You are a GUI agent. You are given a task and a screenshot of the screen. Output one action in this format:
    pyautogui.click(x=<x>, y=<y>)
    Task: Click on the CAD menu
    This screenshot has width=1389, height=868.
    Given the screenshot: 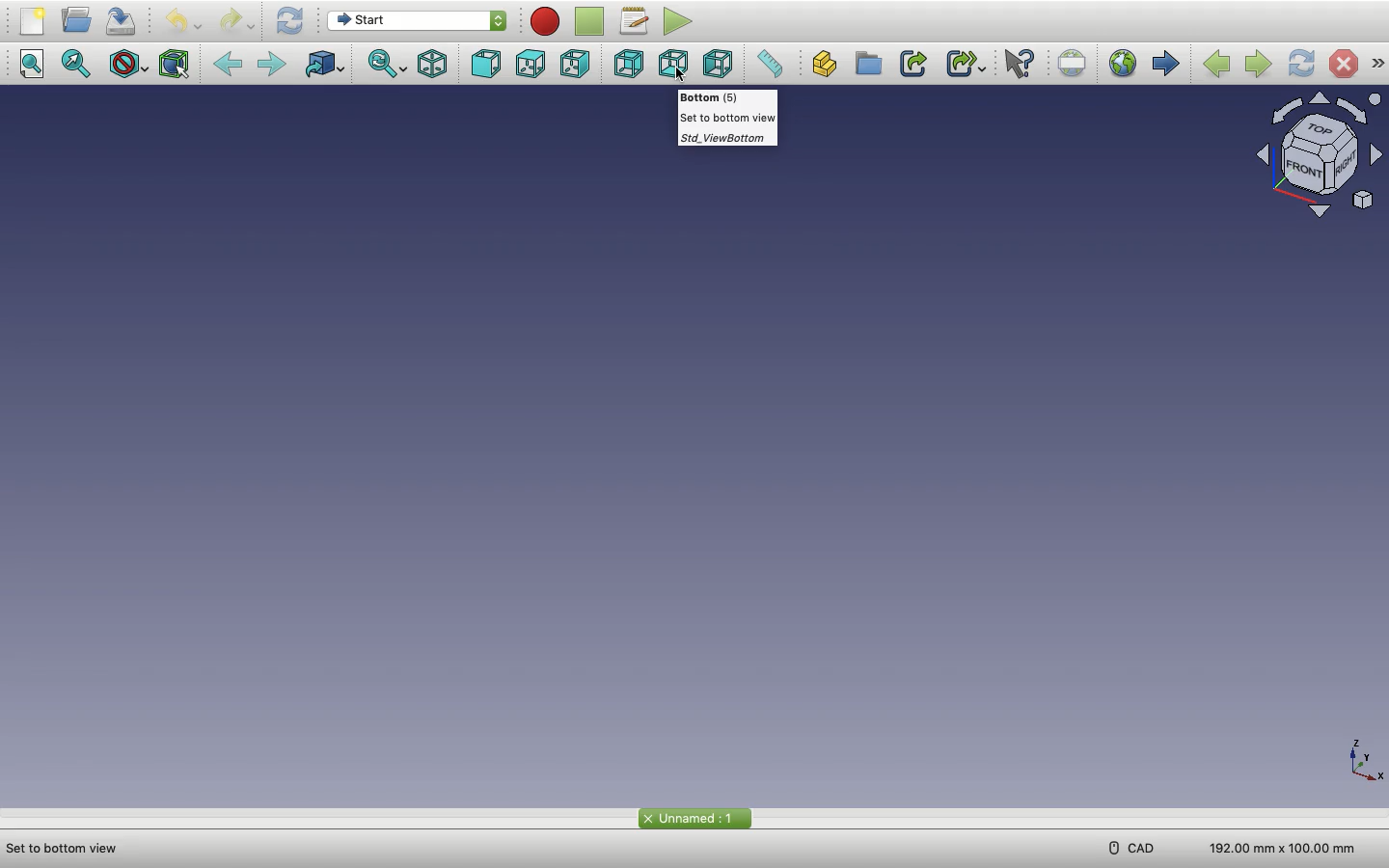 What is the action you would take?
    pyautogui.click(x=1130, y=848)
    